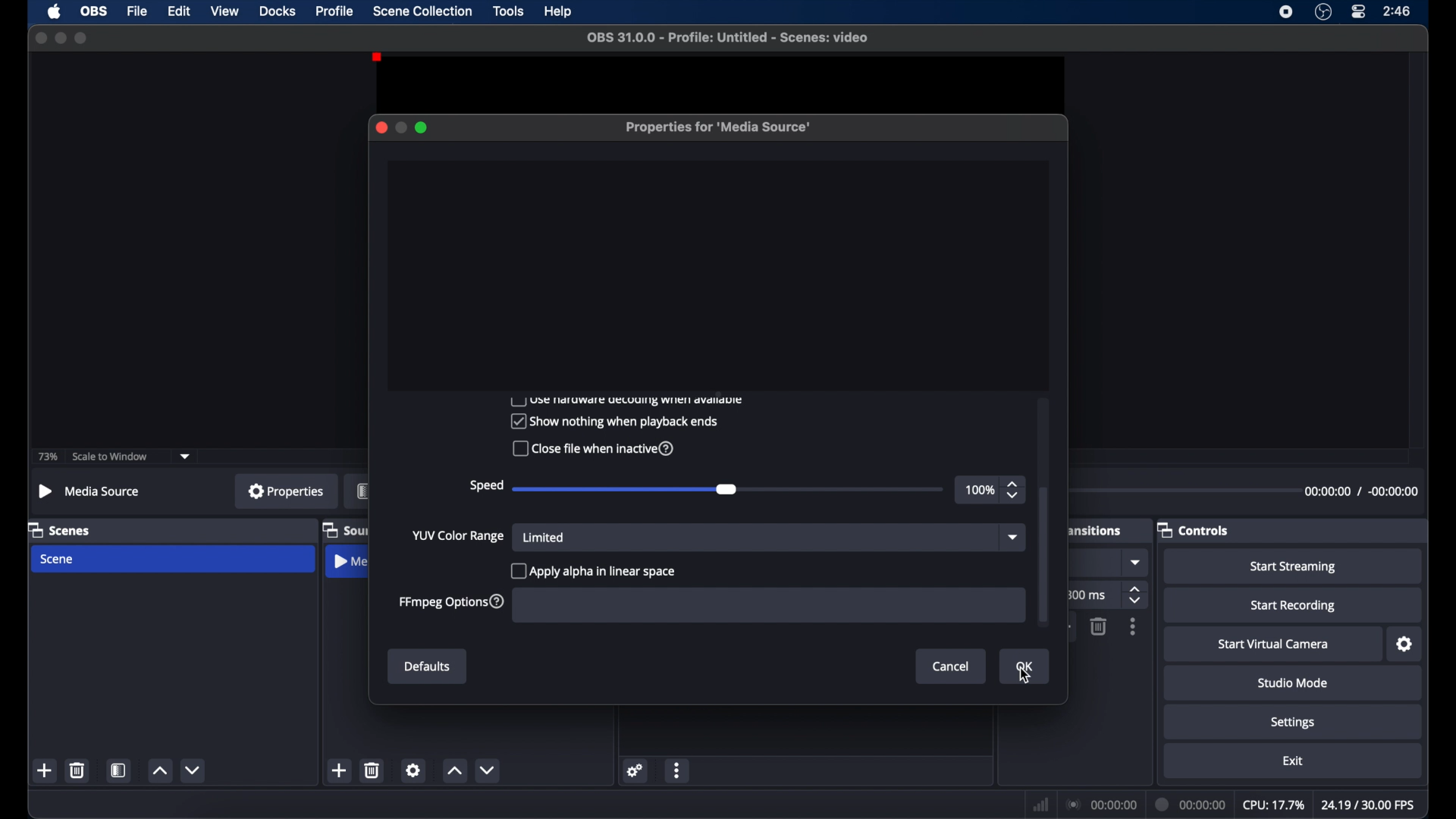  What do you see at coordinates (422, 11) in the screenshot?
I see `scene collection` at bounding box center [422, 11].